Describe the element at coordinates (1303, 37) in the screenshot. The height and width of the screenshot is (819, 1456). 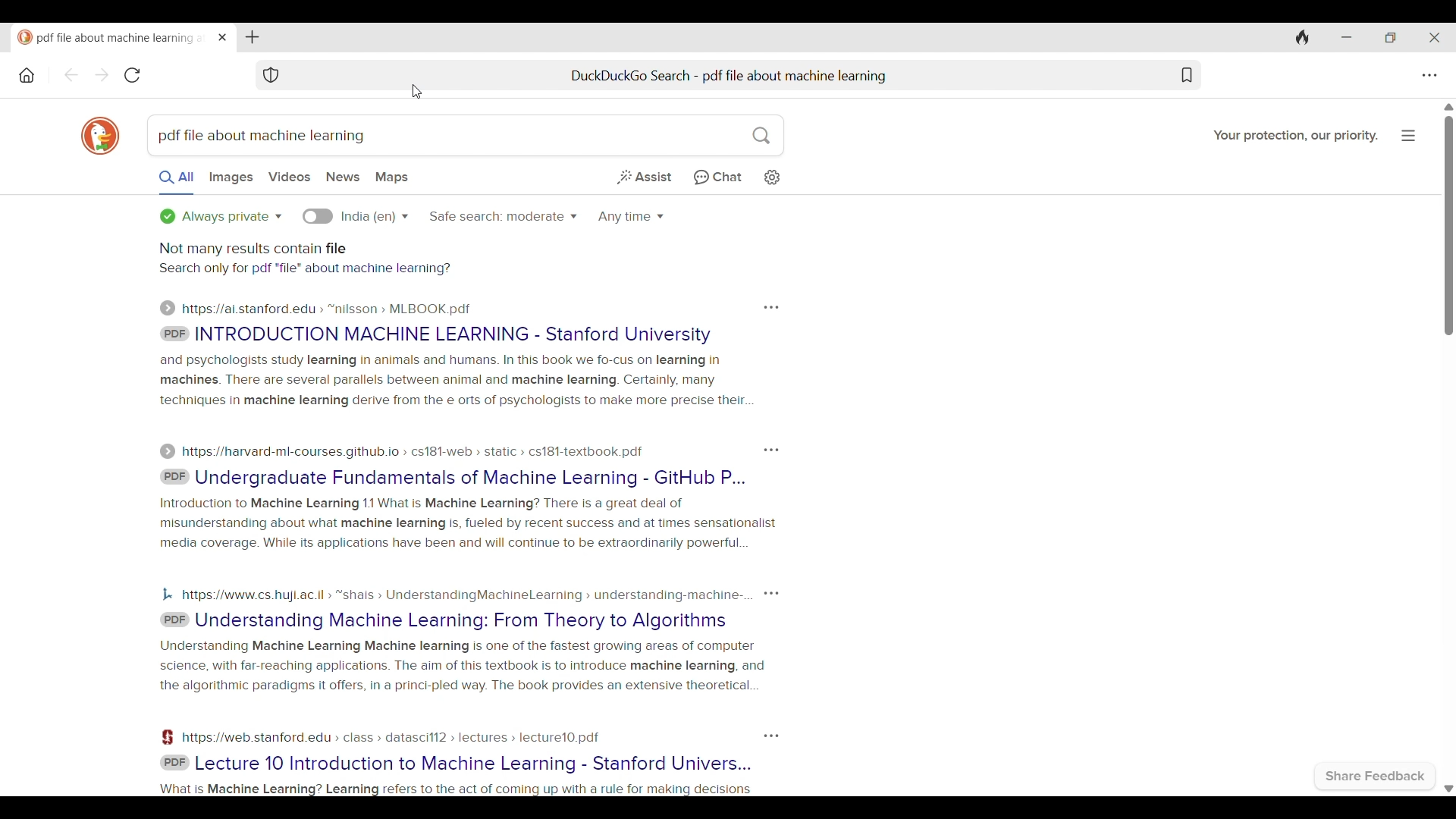
I see `Clear browsing history` at that location.